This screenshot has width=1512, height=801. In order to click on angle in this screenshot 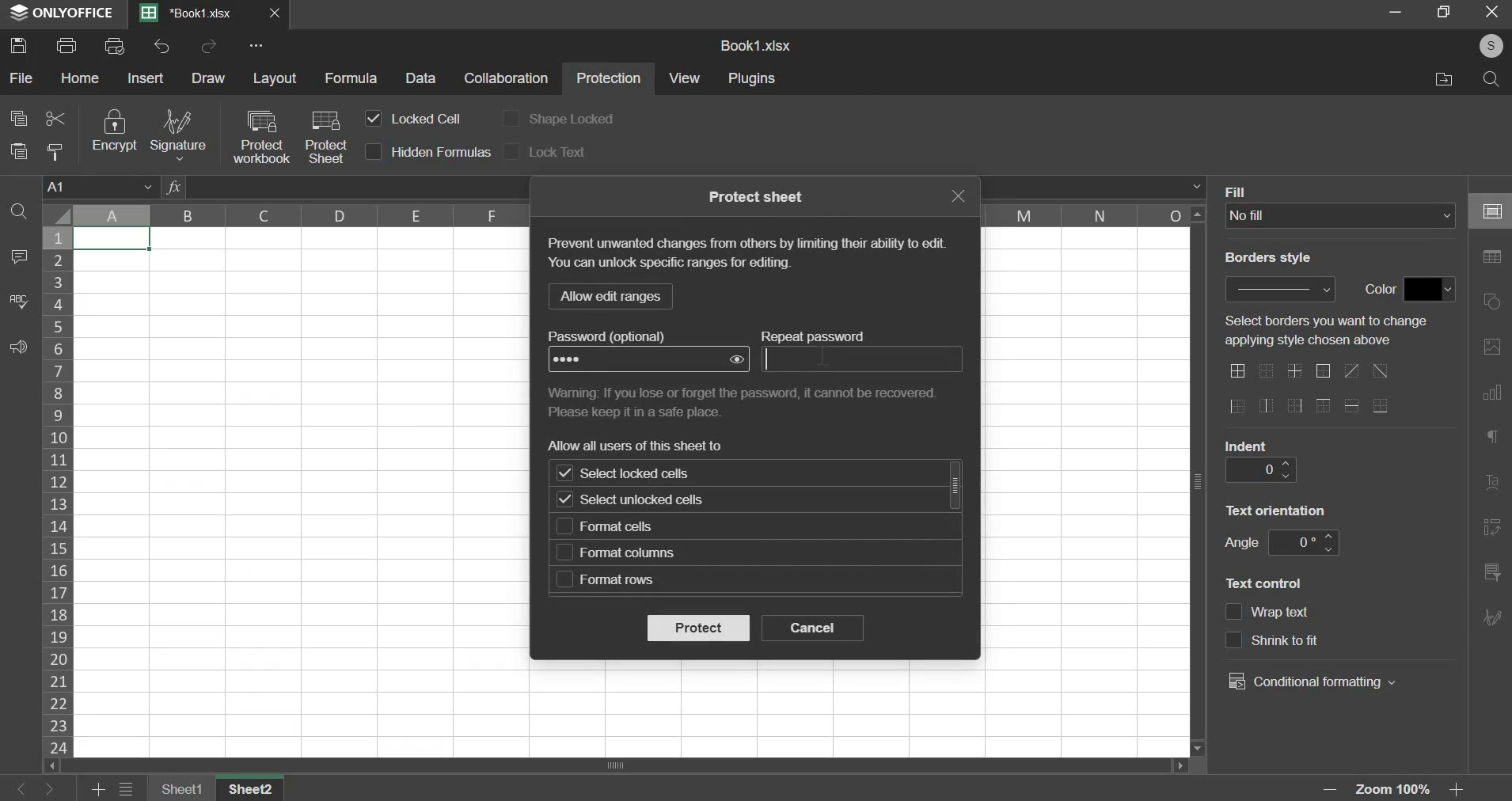, I will do `click(1240, 542)`.